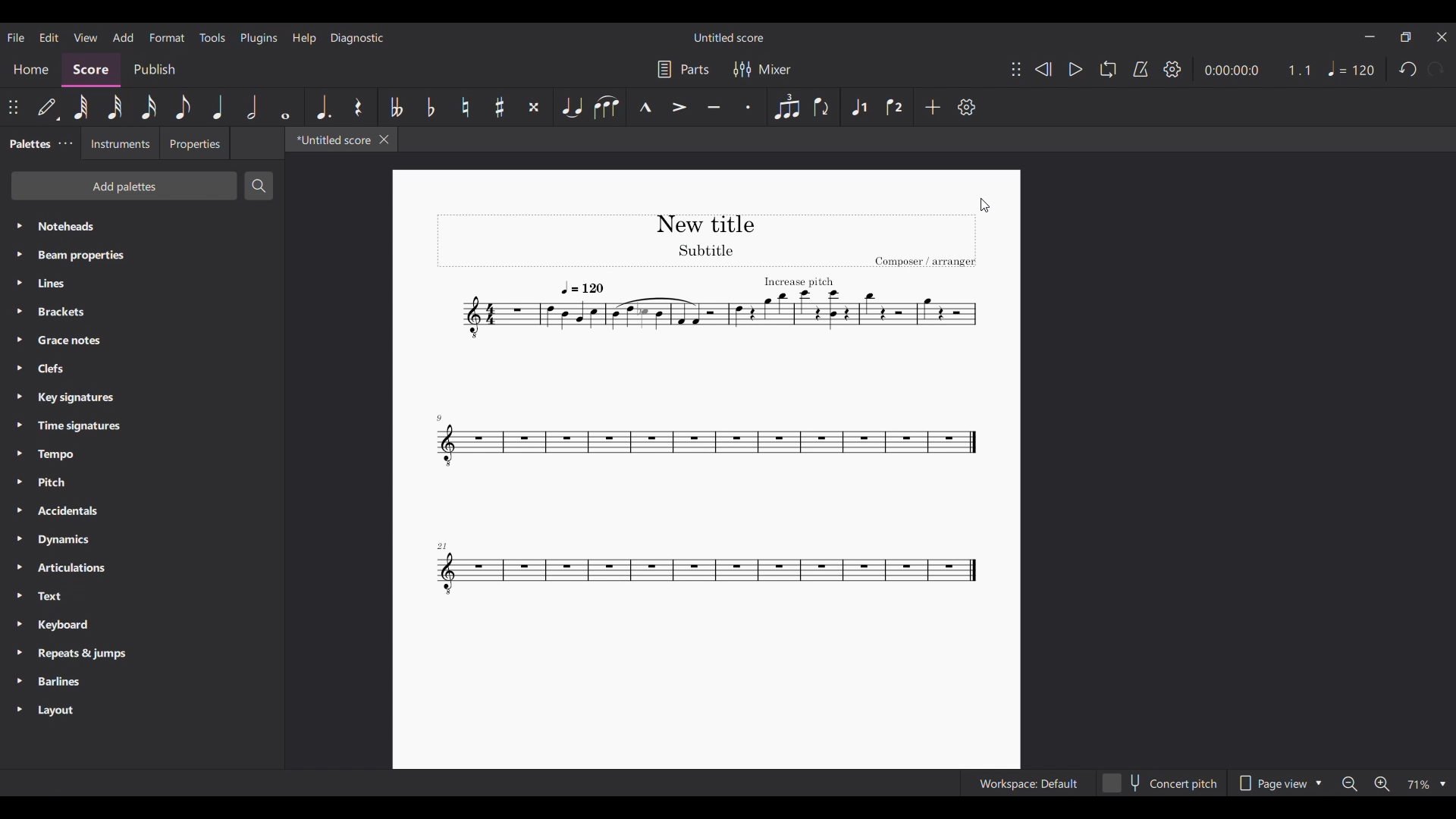  I want to click on Rewind, so click(1043, 69).